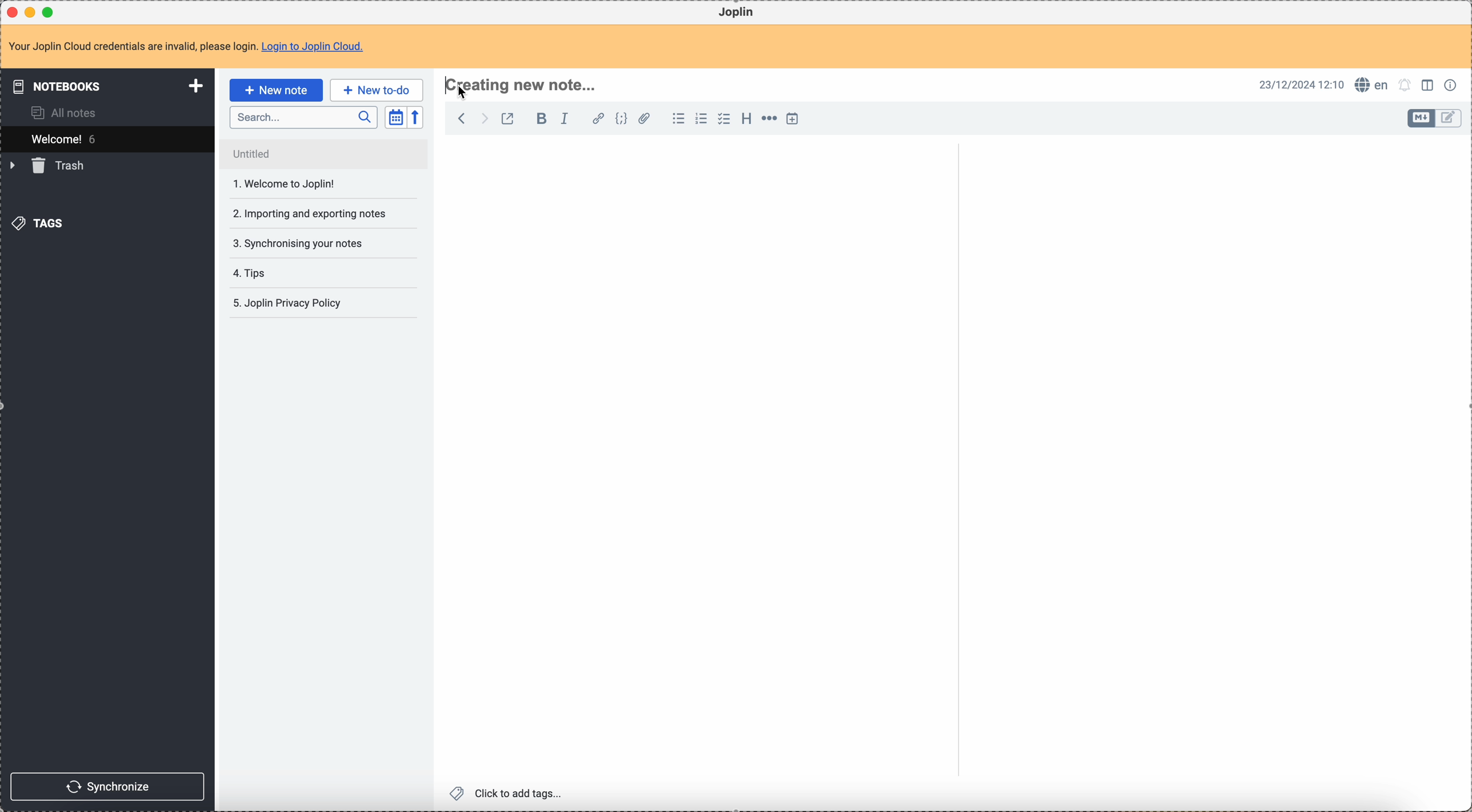 The width and height of the screenshot is (1472, 812). Describe the element at coordinates (286, 273) in the screenshot. I see `Joplin privacy policy` at that location.